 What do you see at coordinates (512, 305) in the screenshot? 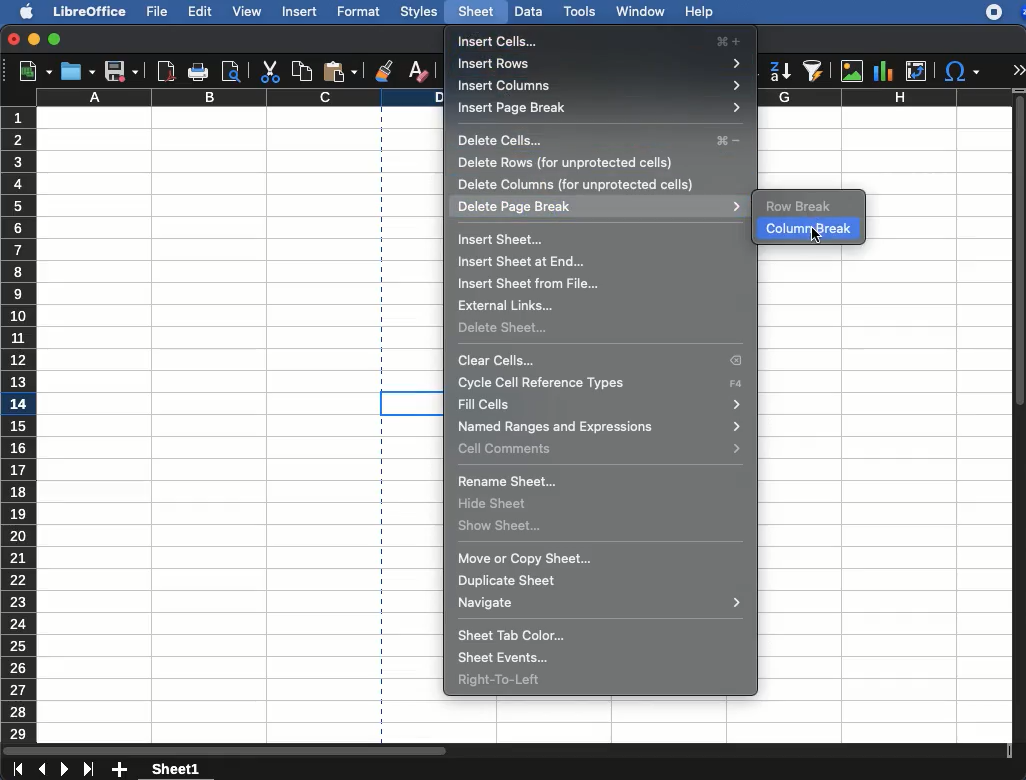
I see `external links` at bounding box center [512, 305].